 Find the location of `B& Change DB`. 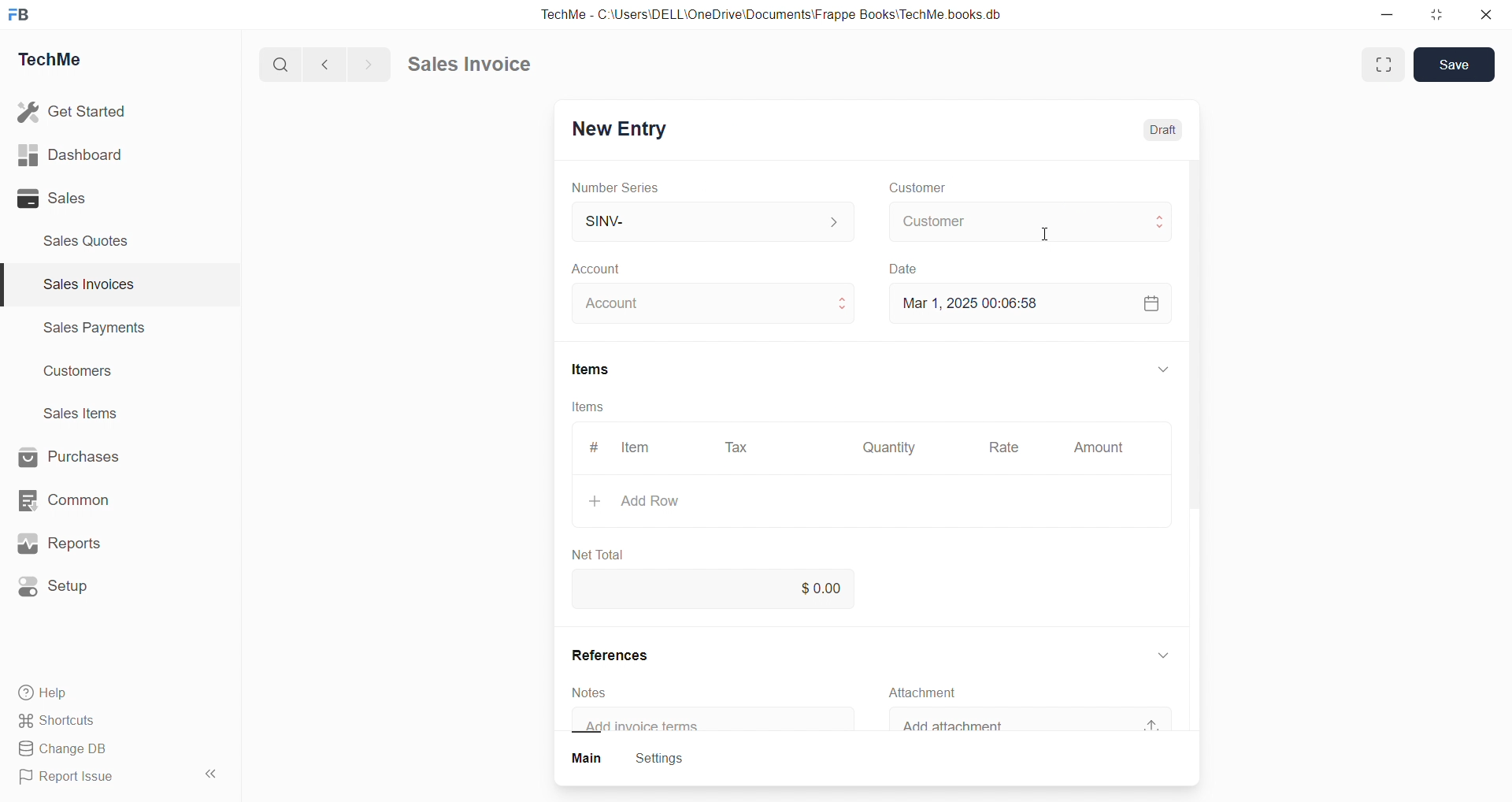

B& Change DB is located at coordinates (69, 750).